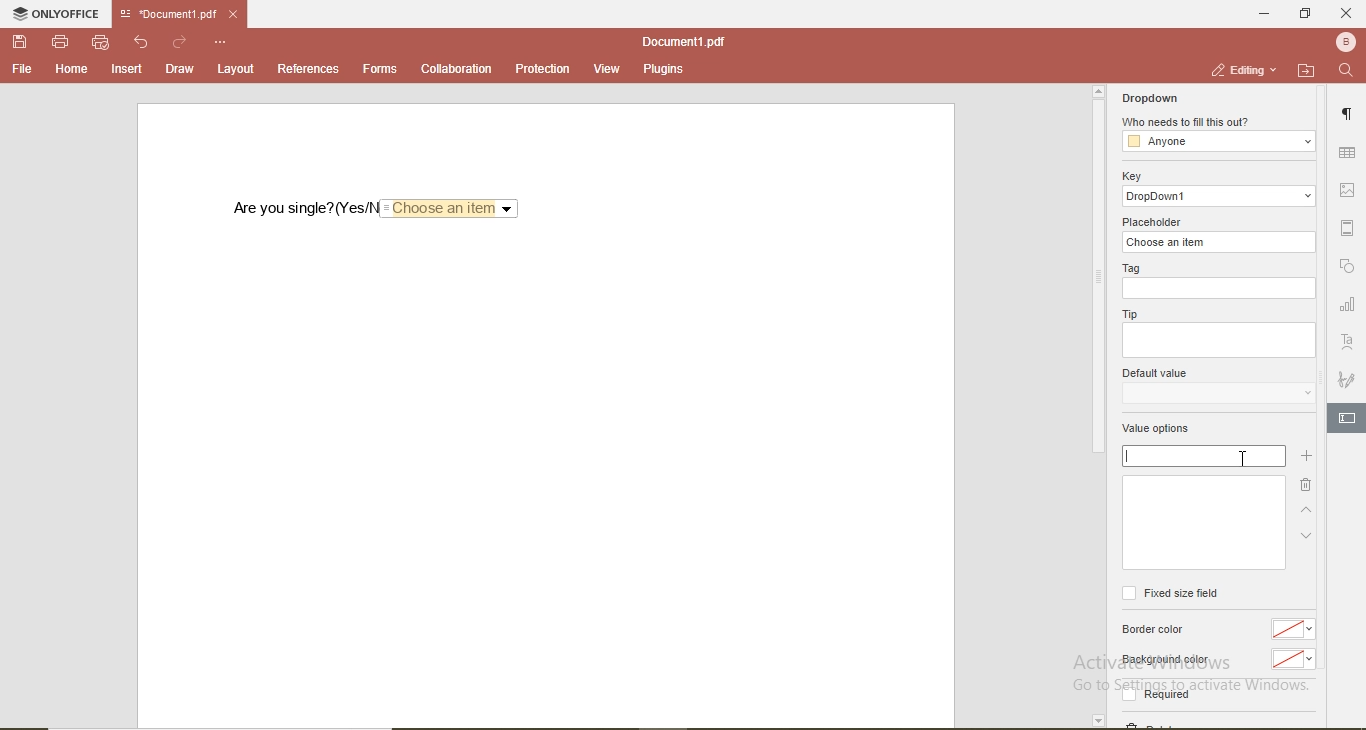 This screenshot has width=1366, height=730. Describe the element at coordinates (1151, 99) in the screenshot. I see `dropdown` at that location.